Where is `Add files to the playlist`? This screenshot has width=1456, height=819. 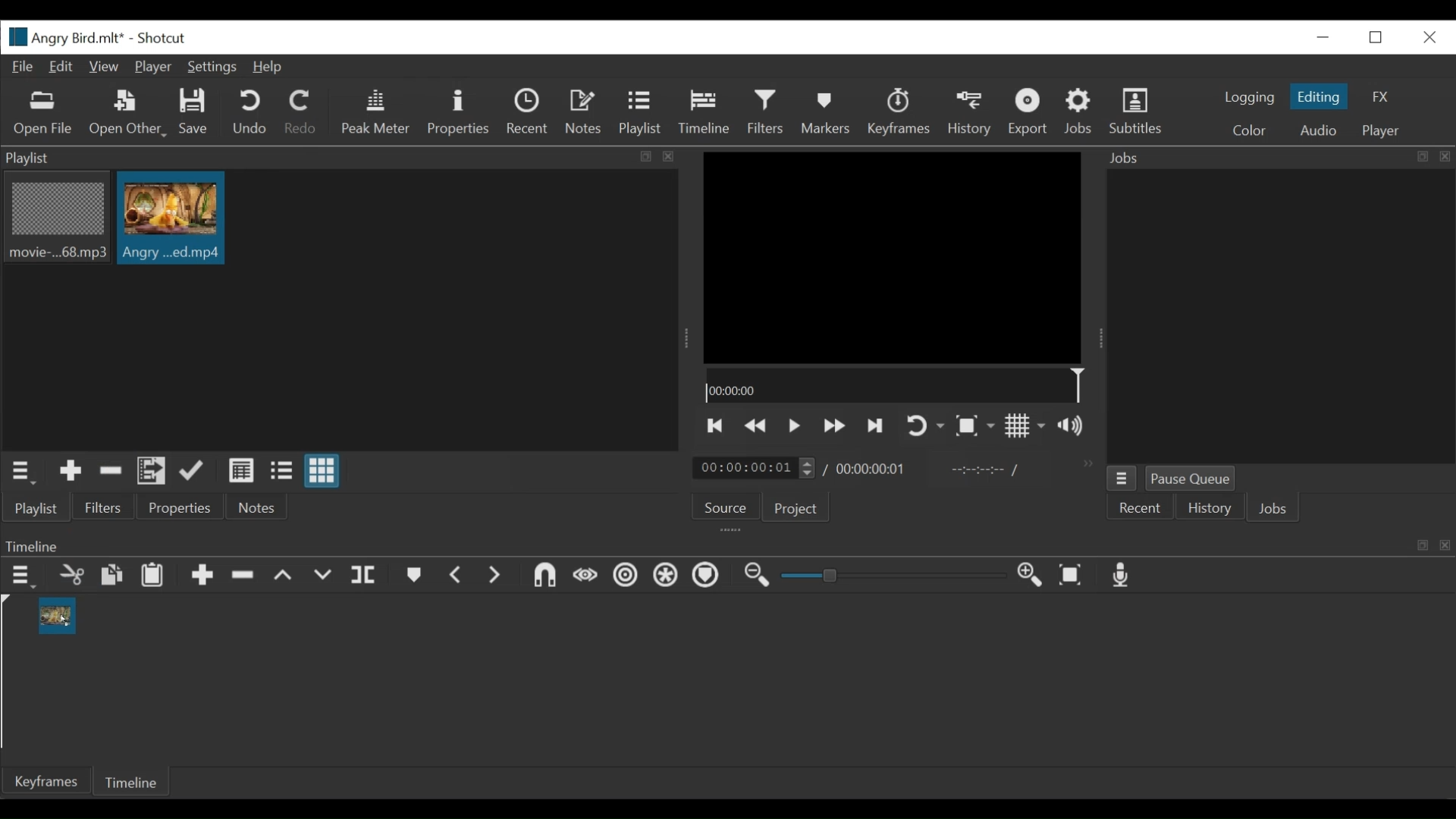 Add files to the playlist is located at coordinates (152, 472).